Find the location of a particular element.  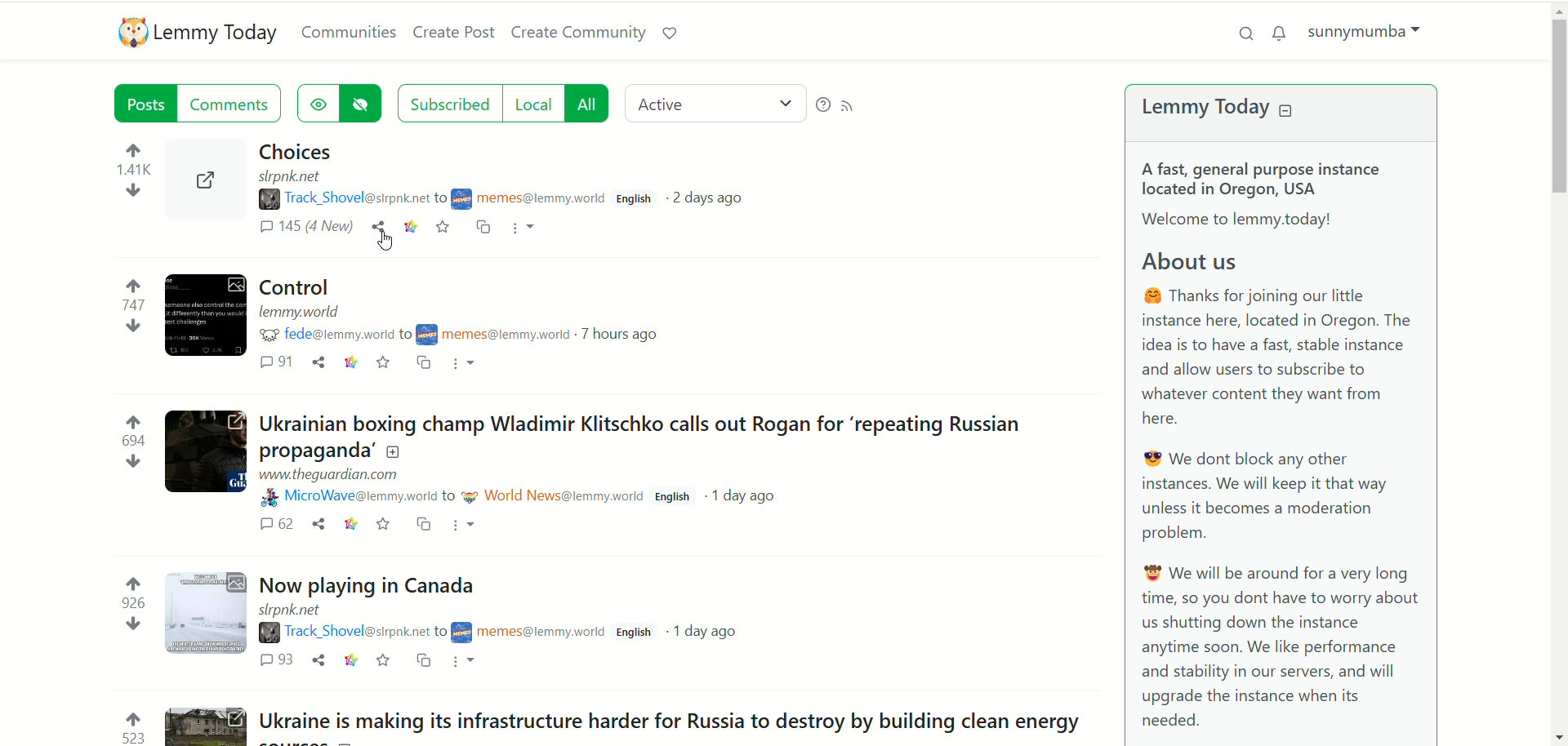

more is located at coordinates (523, 231).